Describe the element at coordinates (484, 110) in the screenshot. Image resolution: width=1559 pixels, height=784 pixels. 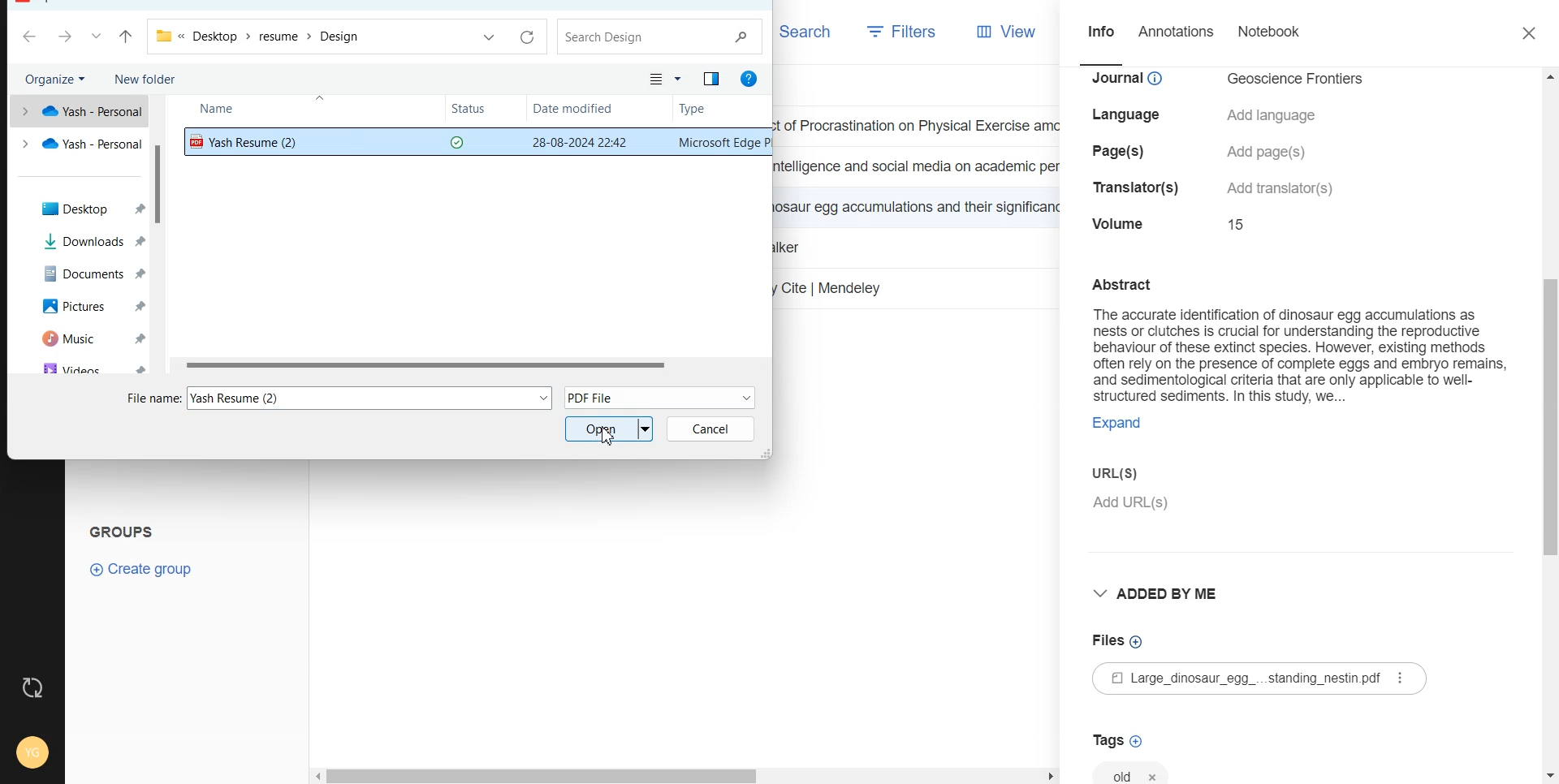
I see `Status` at that location.